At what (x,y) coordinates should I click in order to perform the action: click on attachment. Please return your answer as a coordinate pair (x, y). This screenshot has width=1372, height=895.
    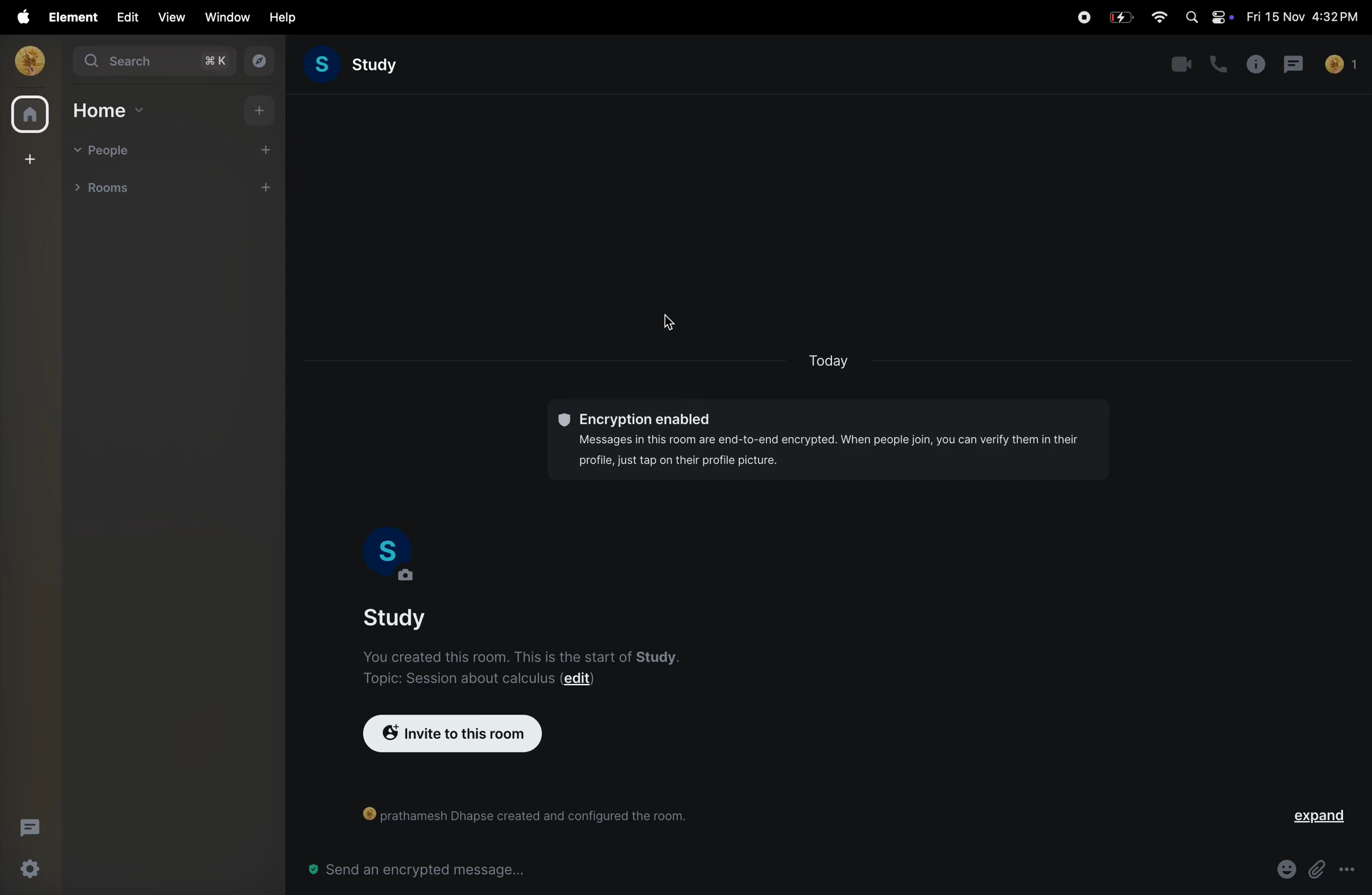
    Looking at the image, I should click on (1317, 866).